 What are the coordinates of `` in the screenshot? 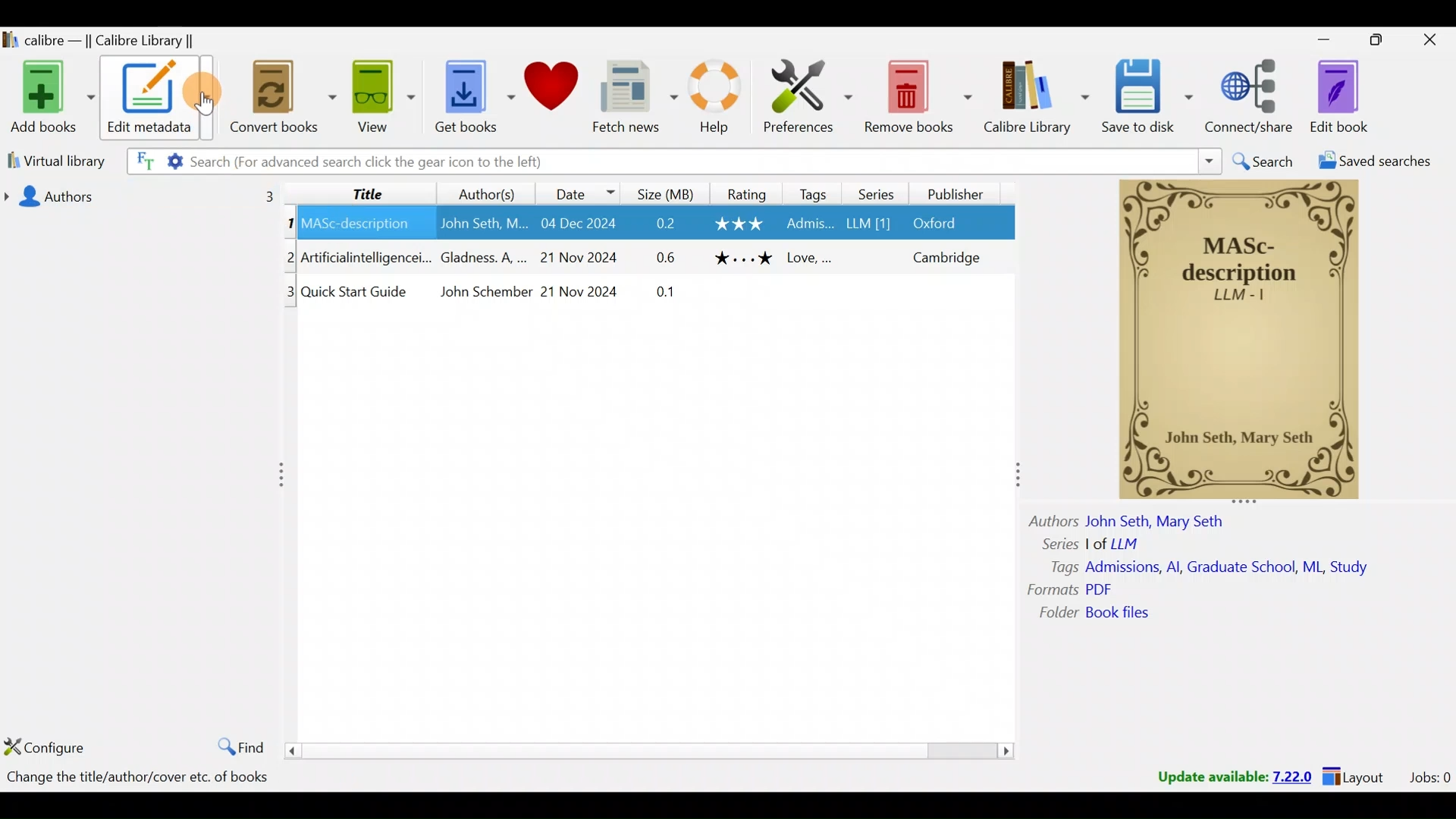 It's located at (482, 295).